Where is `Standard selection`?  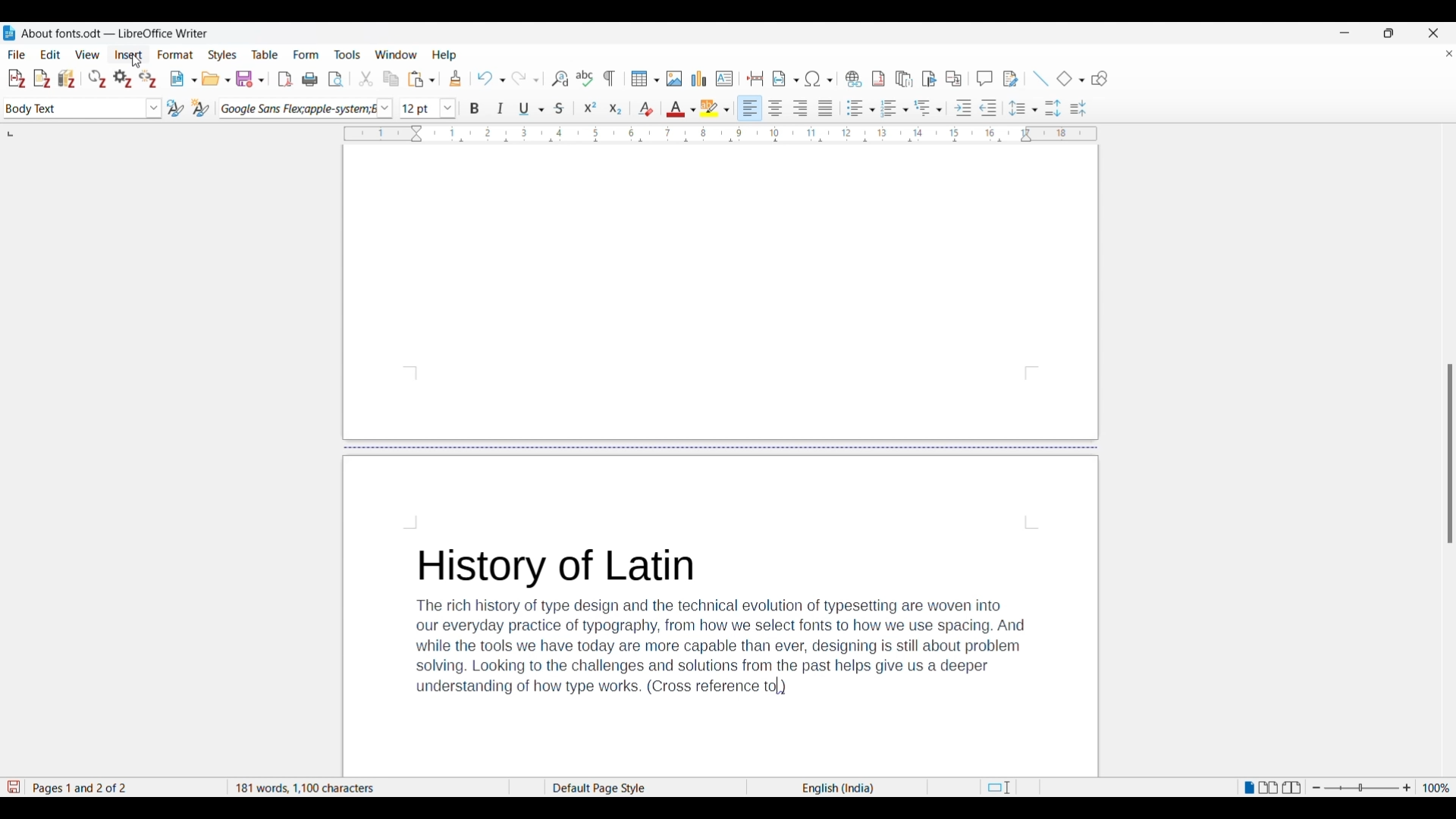 Standard selection is located at coordinates (998, 789).